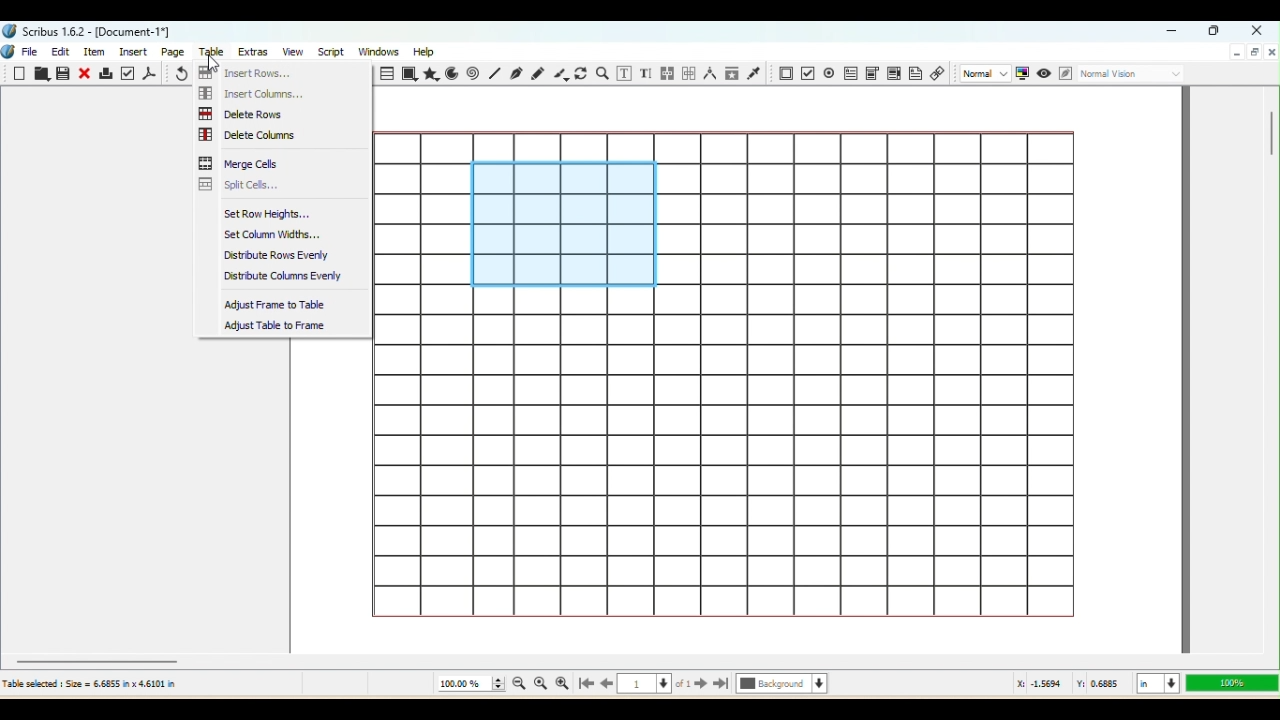  Describe the element at coordinates (432, 75) in the screenshot. I see `Polygon` at that location.